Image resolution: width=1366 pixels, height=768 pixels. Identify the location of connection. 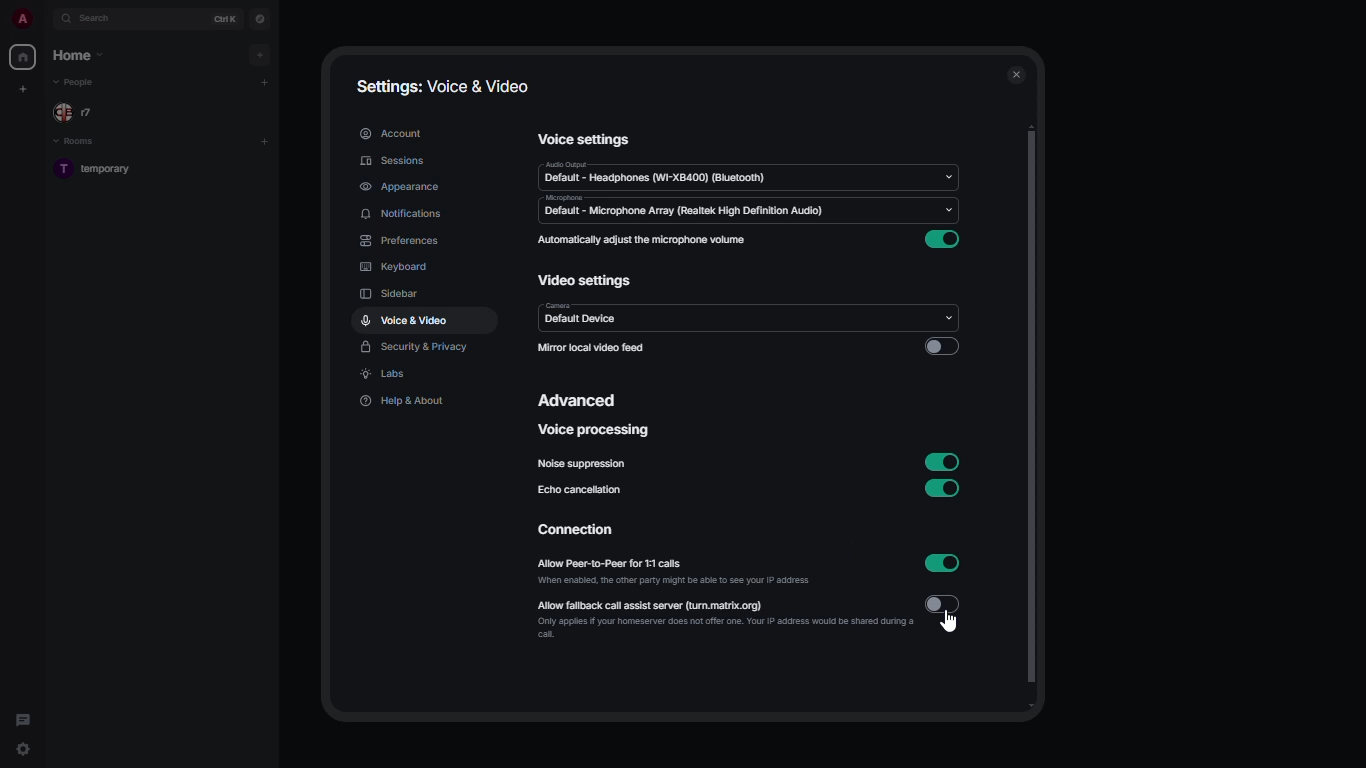
(579, 529).